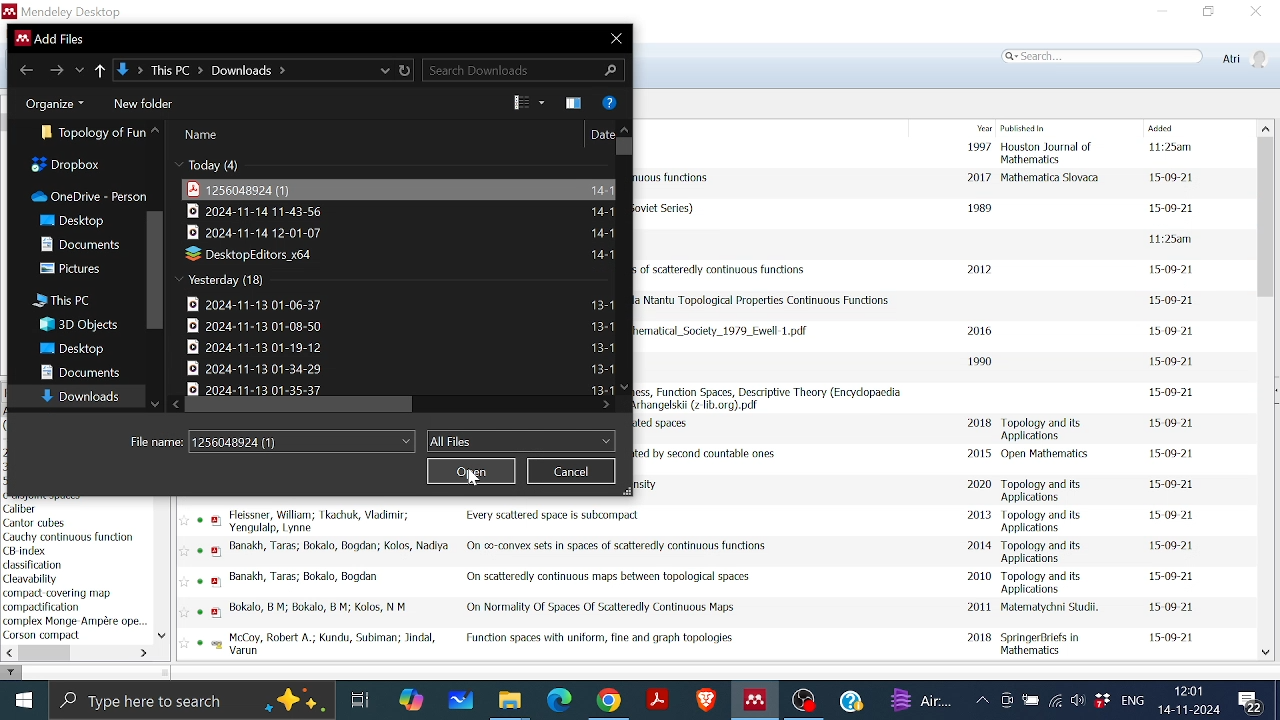  I want to click on Vertical scrollbar for all files, so click(624, 148).